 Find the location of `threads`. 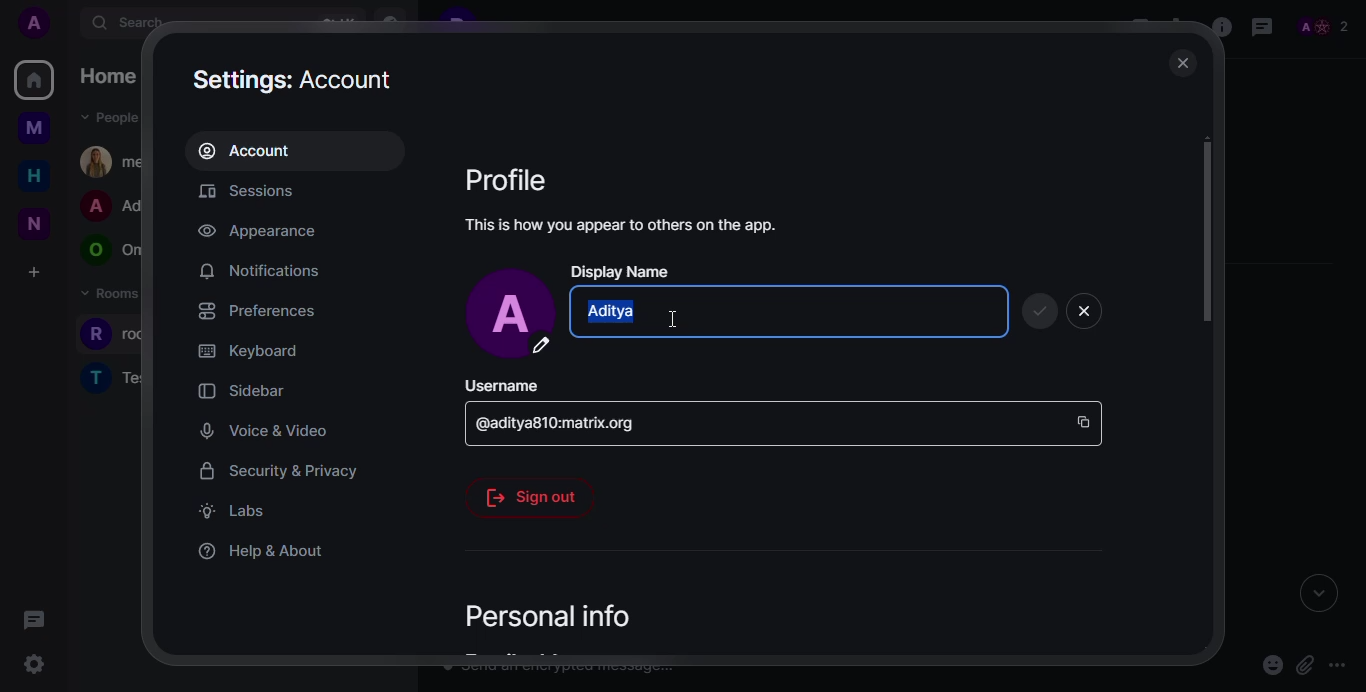

threads is located at coordinates (33, 619).